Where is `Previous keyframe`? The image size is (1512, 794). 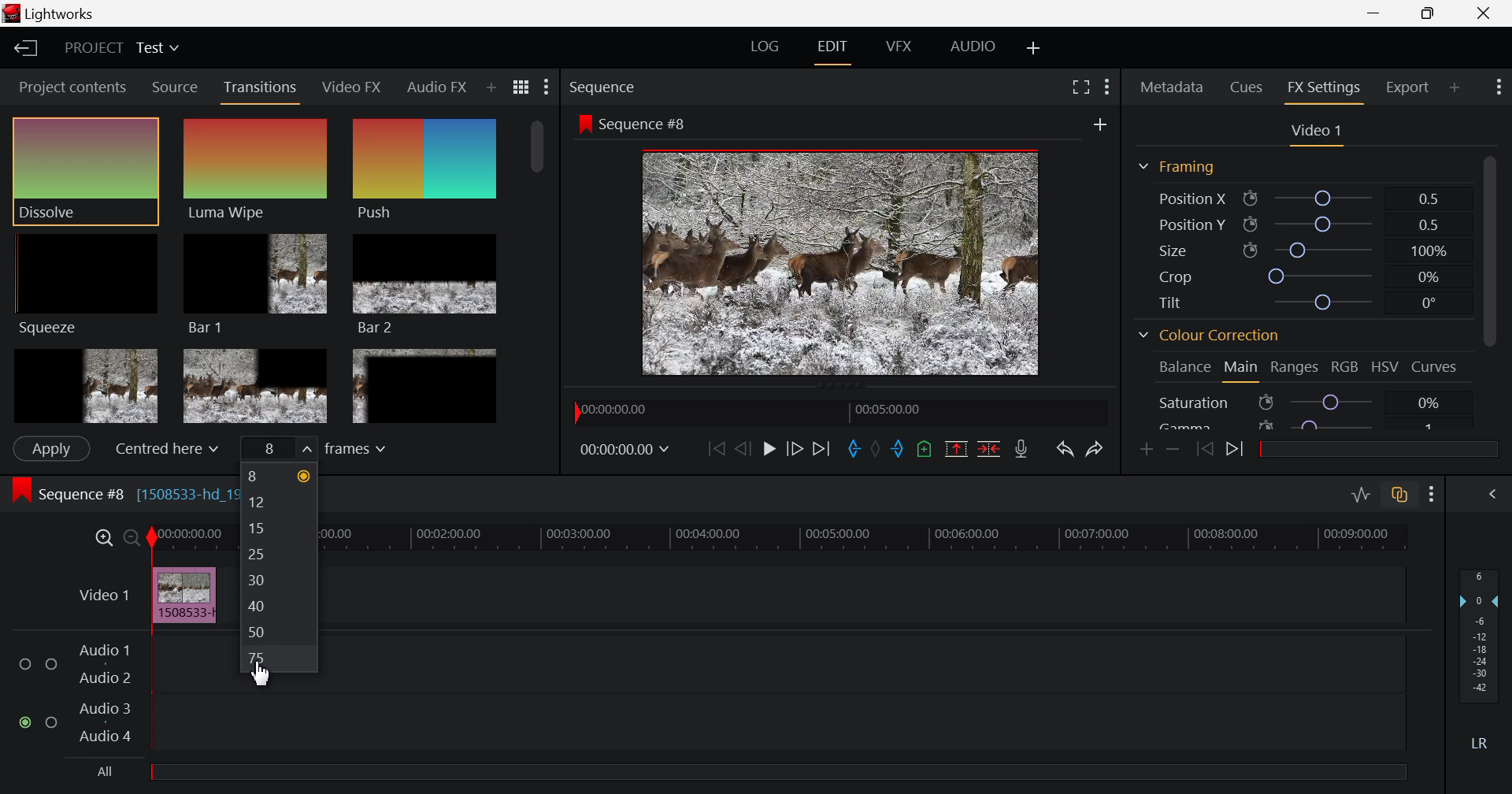
Previous keyframe is located at coordinates (1208, 450).